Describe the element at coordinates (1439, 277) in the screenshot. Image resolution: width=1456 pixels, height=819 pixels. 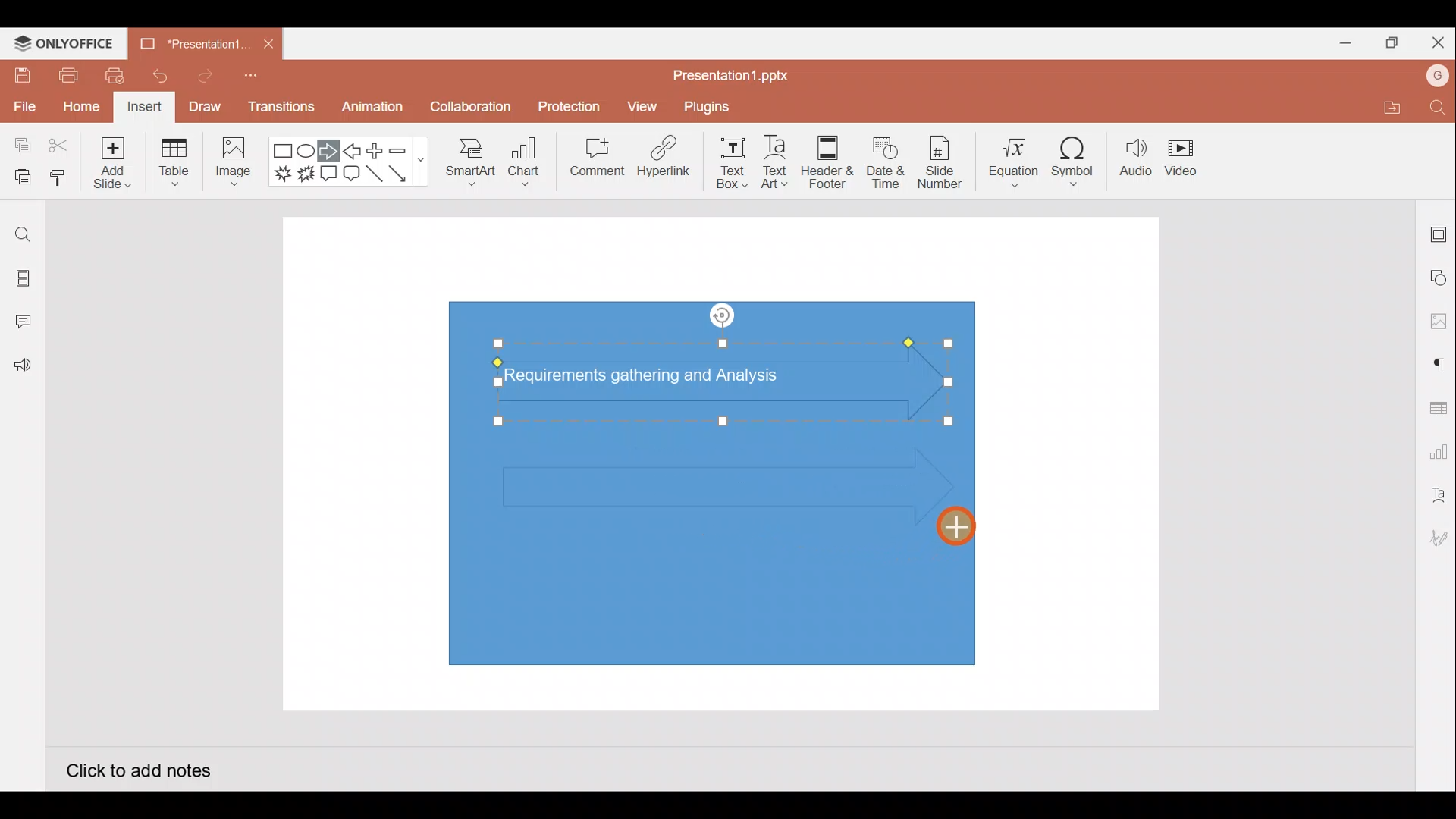
I see `Shape settings` at that location.